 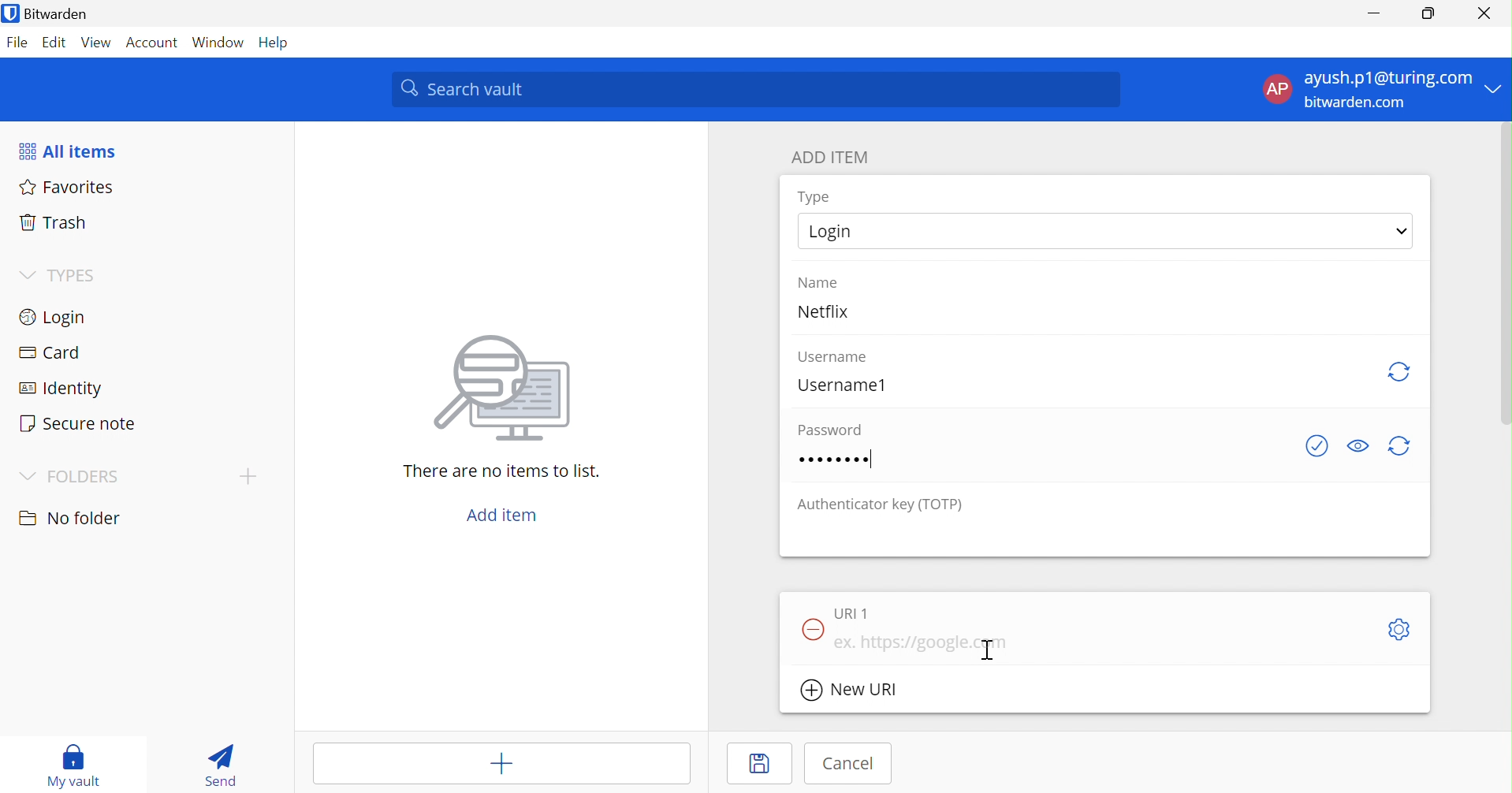 I want to click on Secure note, so click(x=80, y=422).